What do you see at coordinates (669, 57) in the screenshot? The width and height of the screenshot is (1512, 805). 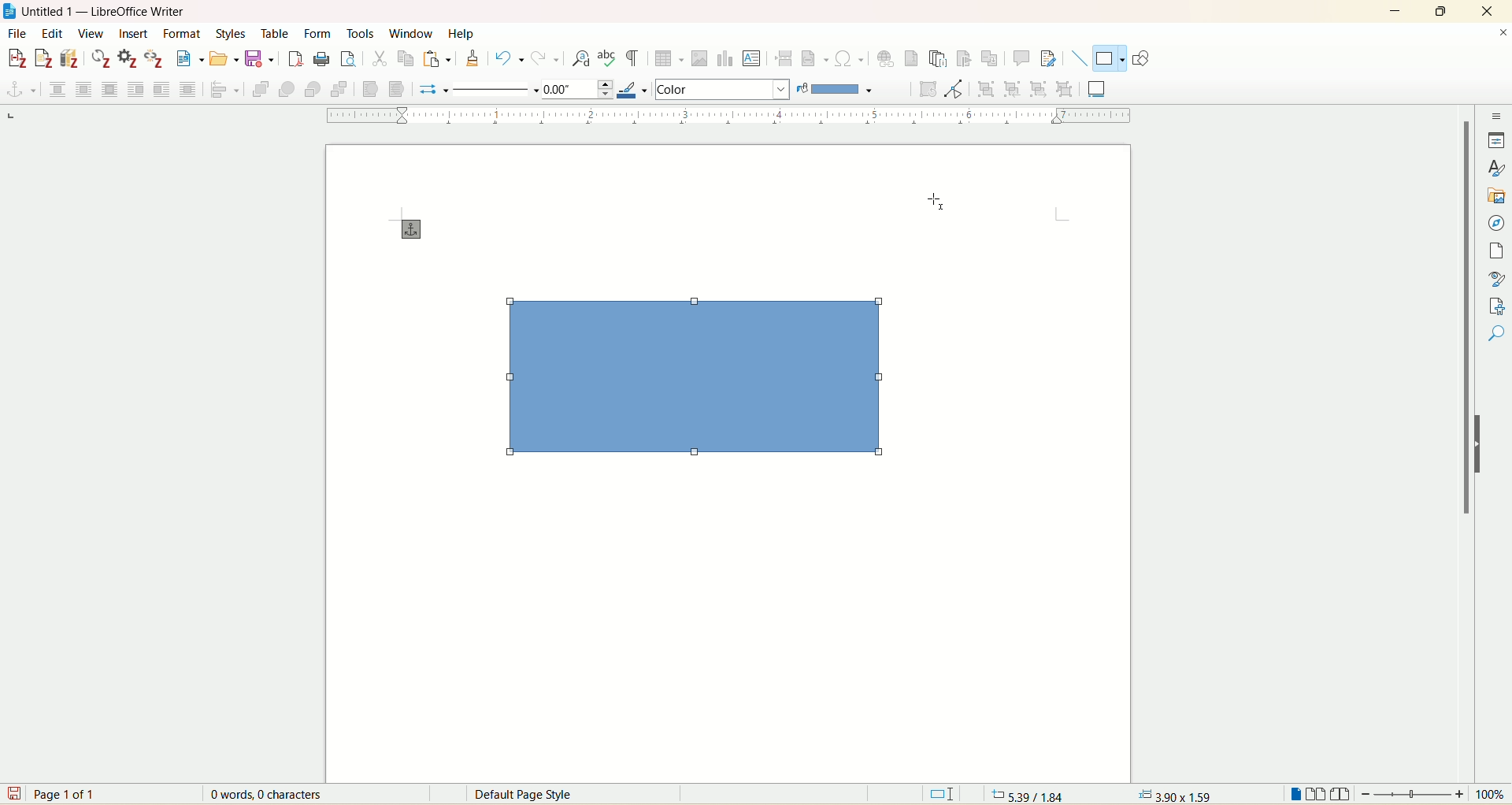 I see `insert table` at bounding box center [669, 57].